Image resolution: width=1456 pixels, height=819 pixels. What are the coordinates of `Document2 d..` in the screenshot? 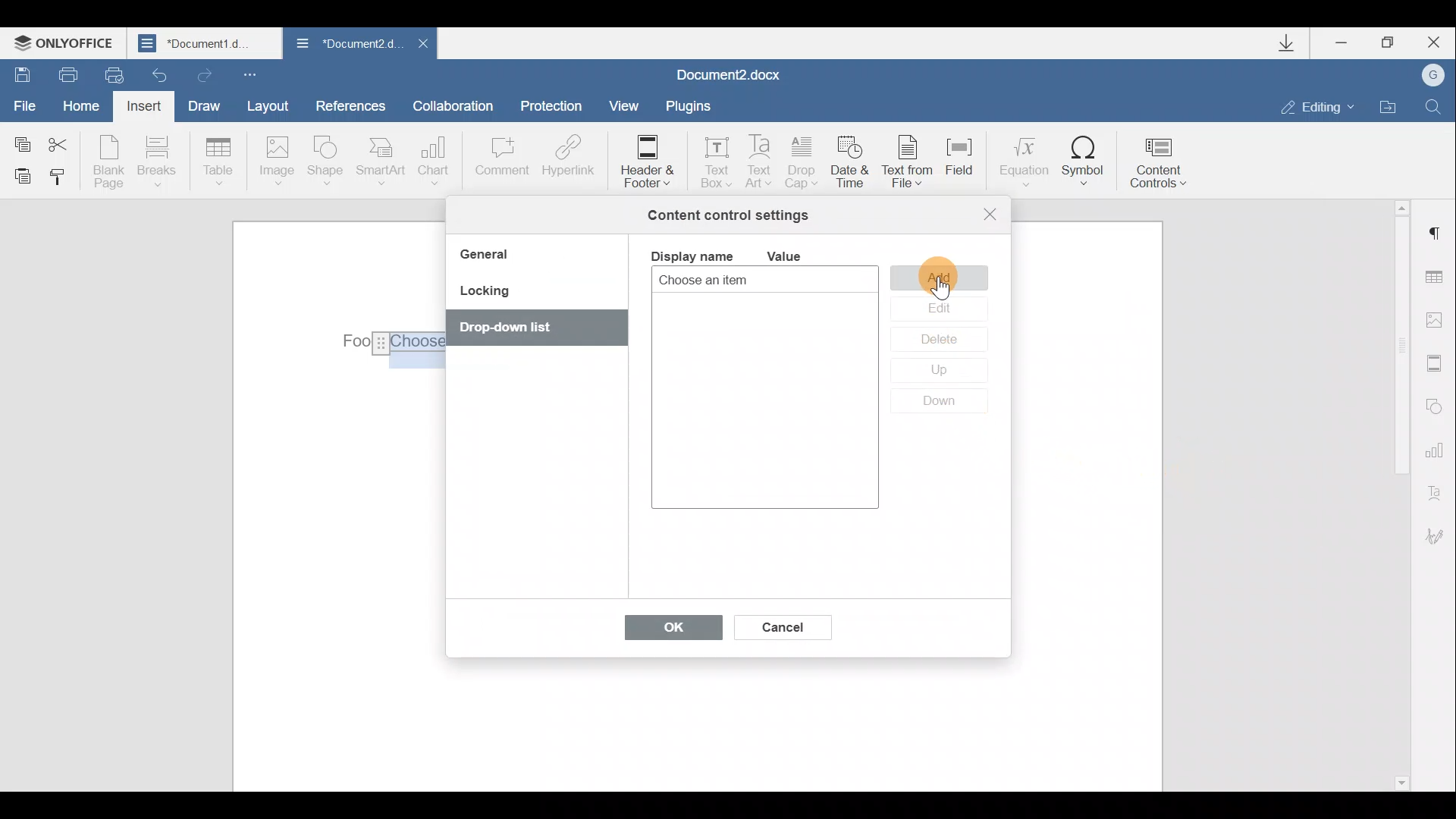 It's located at (347, 46).